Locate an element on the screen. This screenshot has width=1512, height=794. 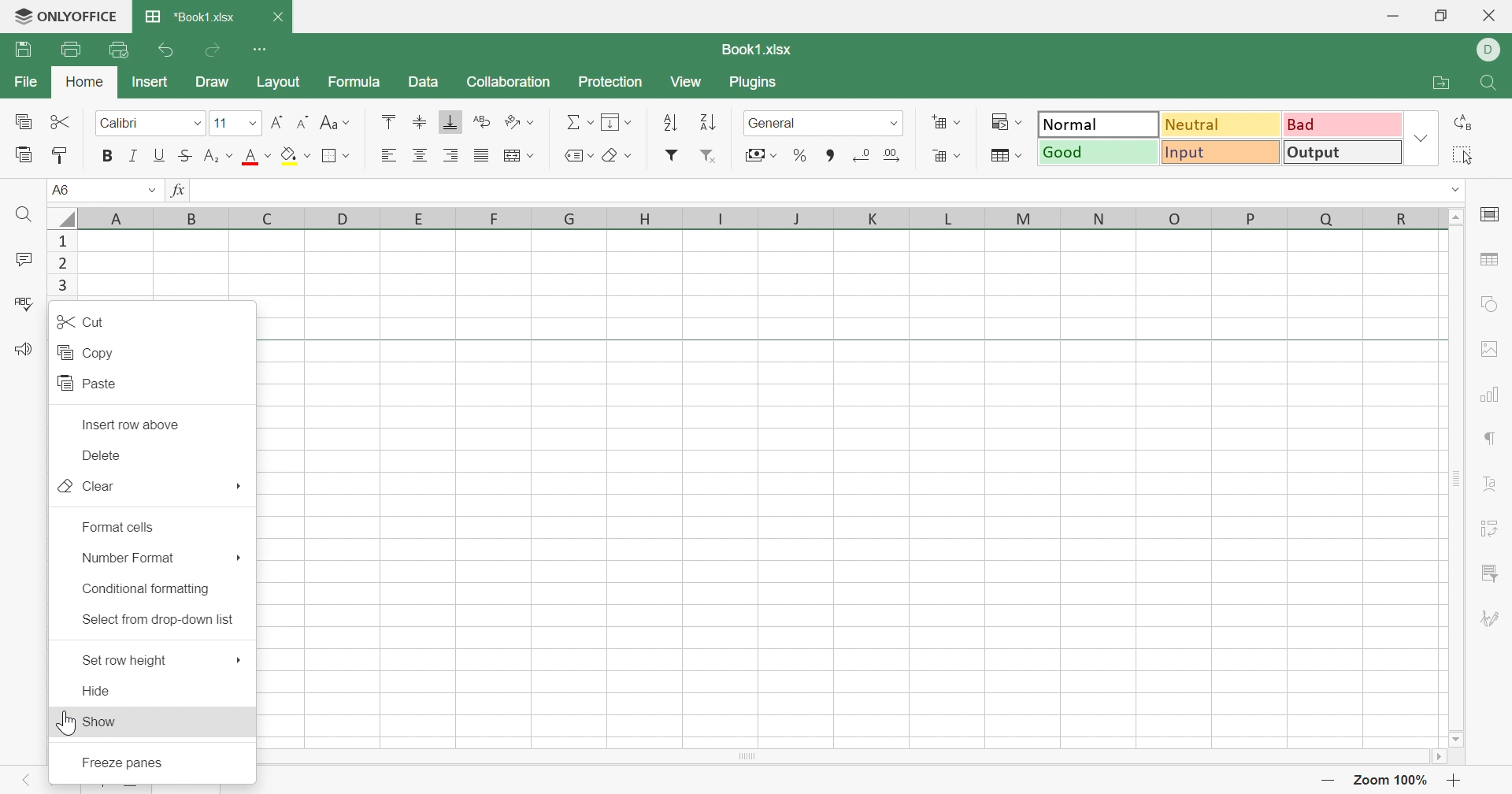
Align Center is located at coordinates (424, 155).